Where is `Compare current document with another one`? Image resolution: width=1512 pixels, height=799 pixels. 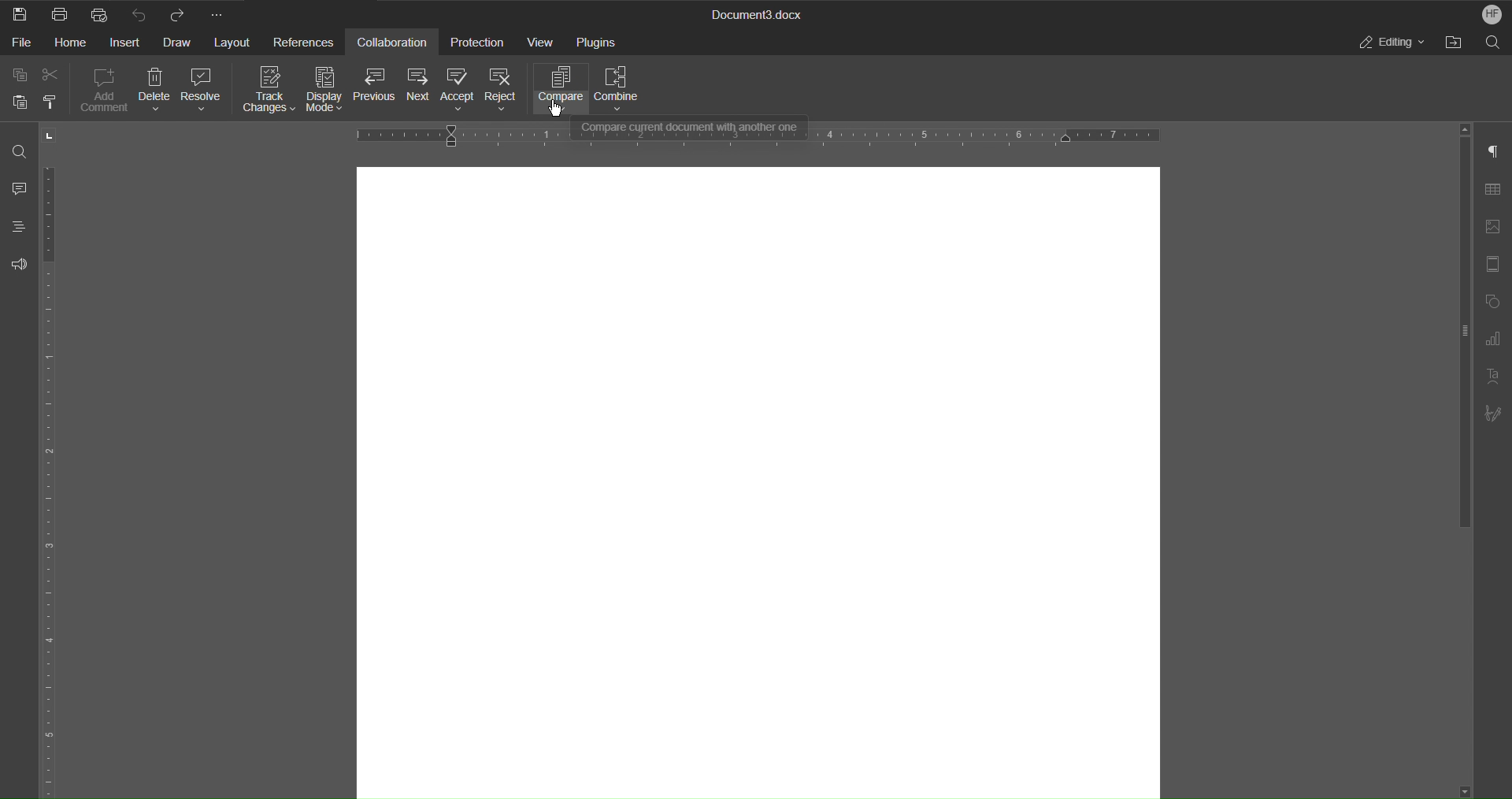 Compare current document with another one is located at coordinates (691, 130).